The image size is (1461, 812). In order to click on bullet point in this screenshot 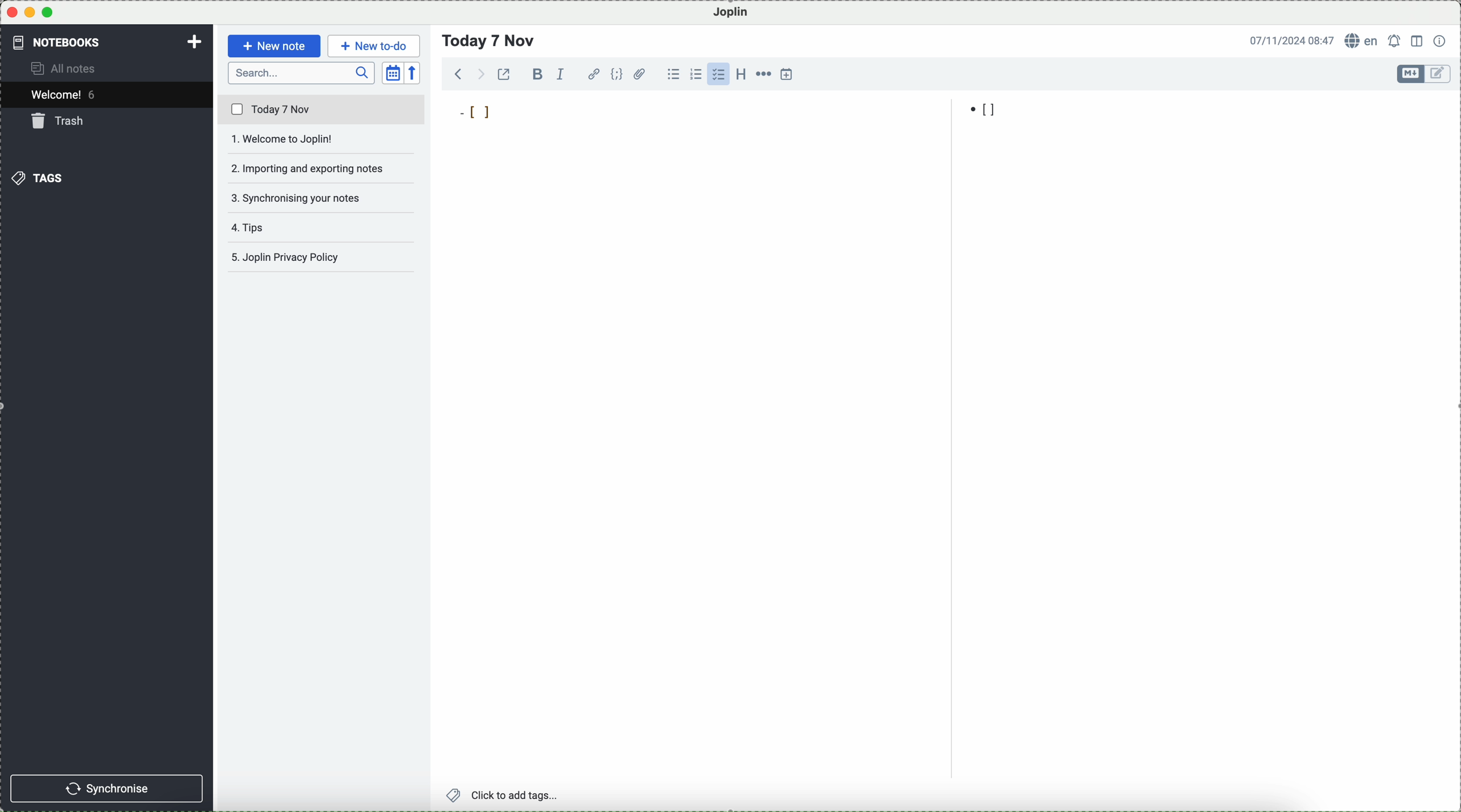, I will do `click(985, 110)`.